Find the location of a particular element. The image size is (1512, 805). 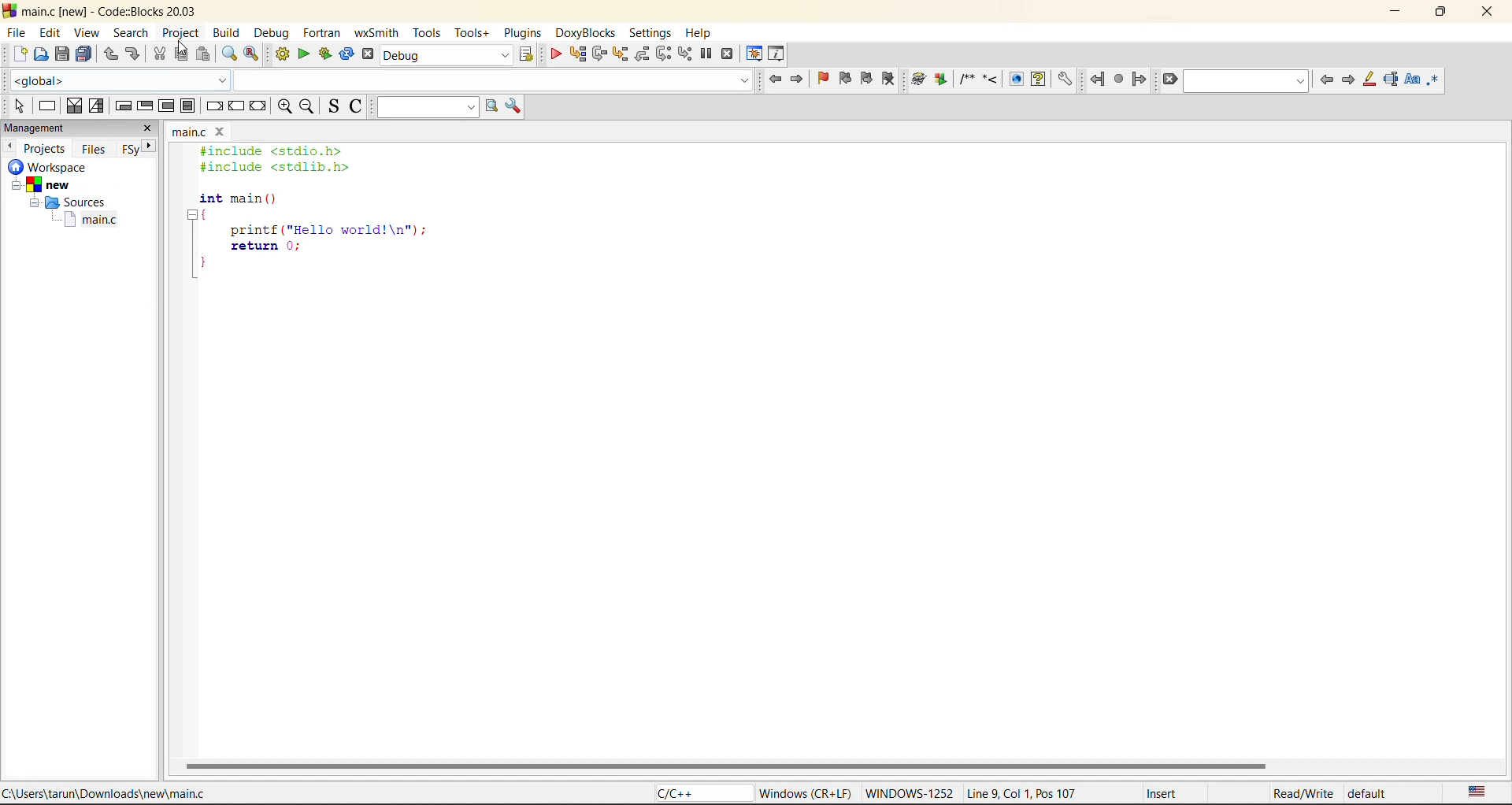

files is located at coordinates (94, 150).